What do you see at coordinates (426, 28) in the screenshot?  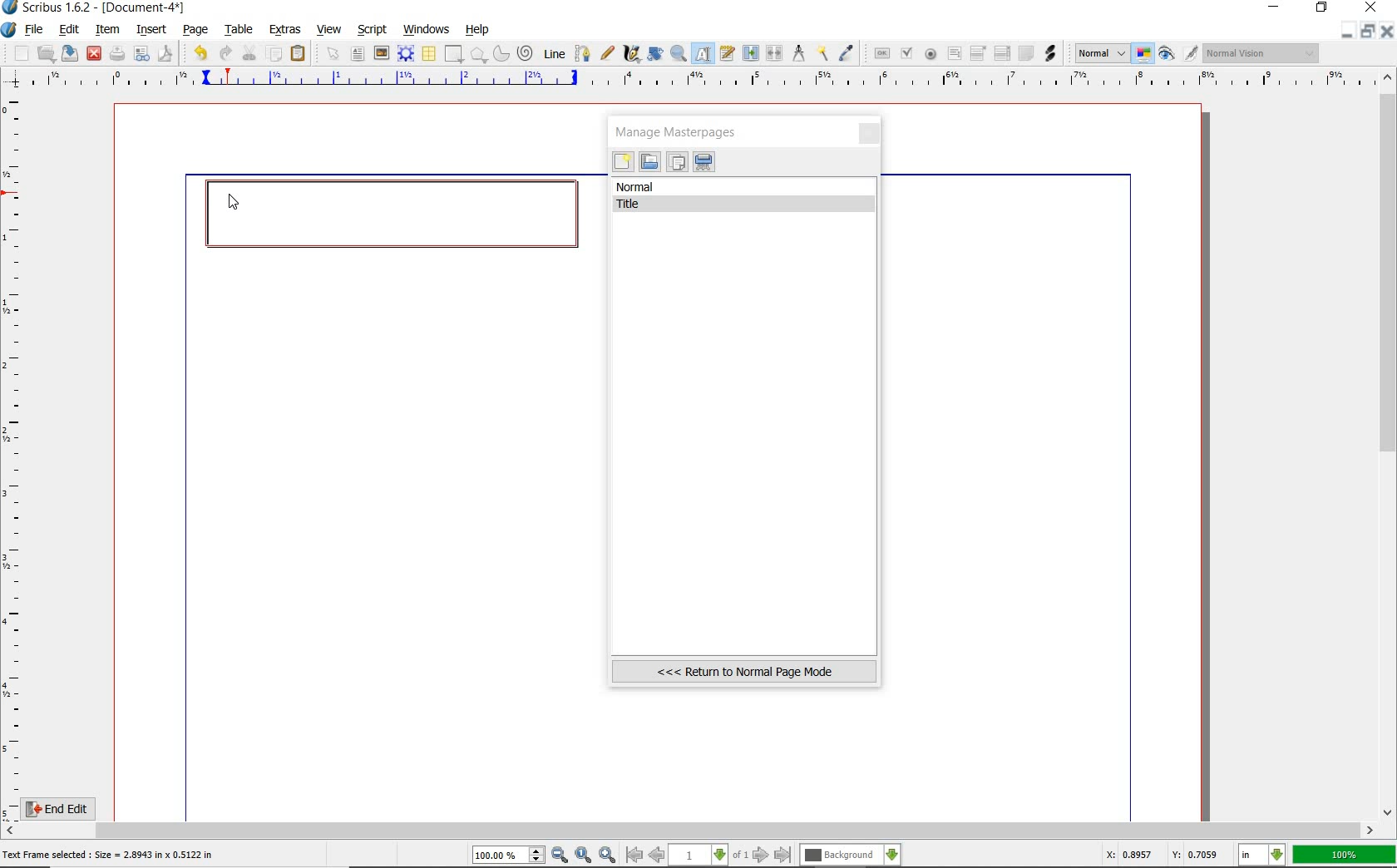 I see `windows` at bounding box center [426, 28].